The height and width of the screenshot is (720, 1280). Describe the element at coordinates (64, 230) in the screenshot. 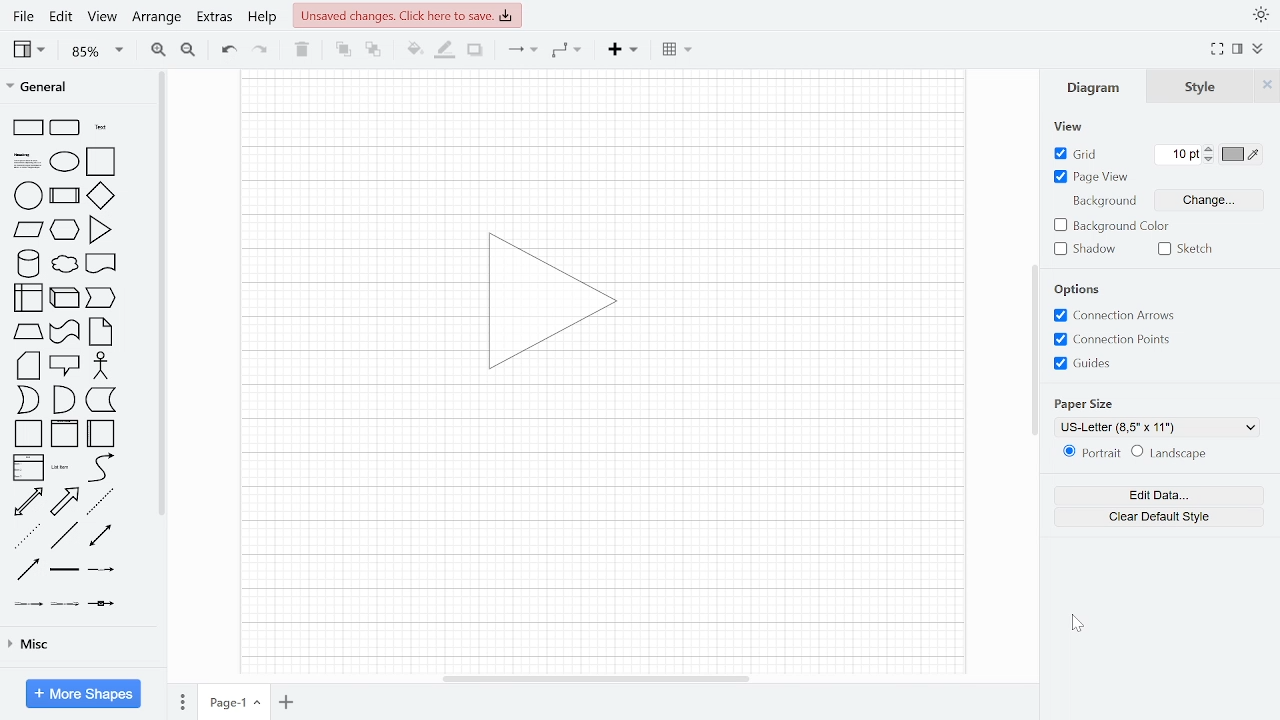

I see `Hexagon` at that location.